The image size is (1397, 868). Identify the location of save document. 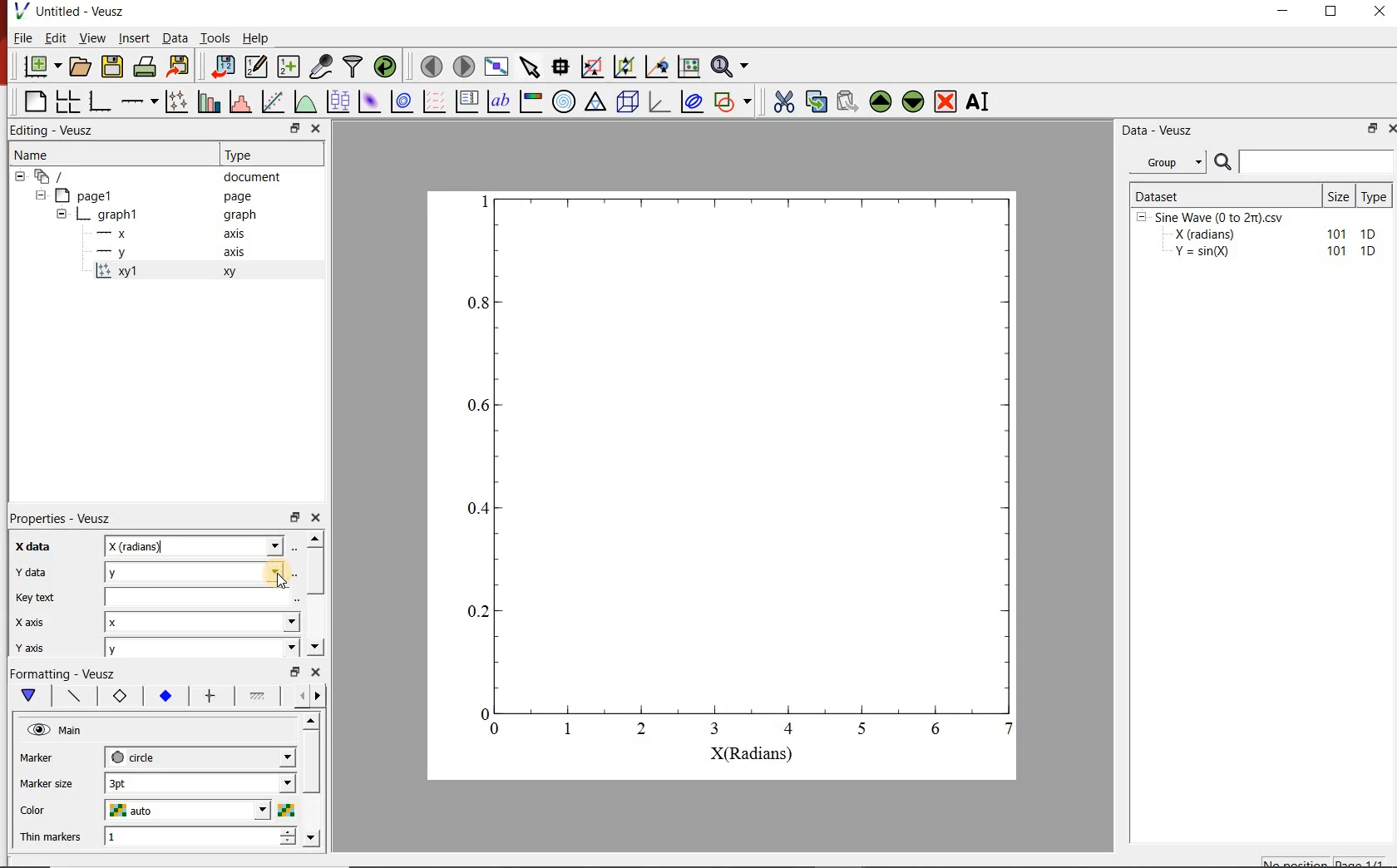
(112, 67).